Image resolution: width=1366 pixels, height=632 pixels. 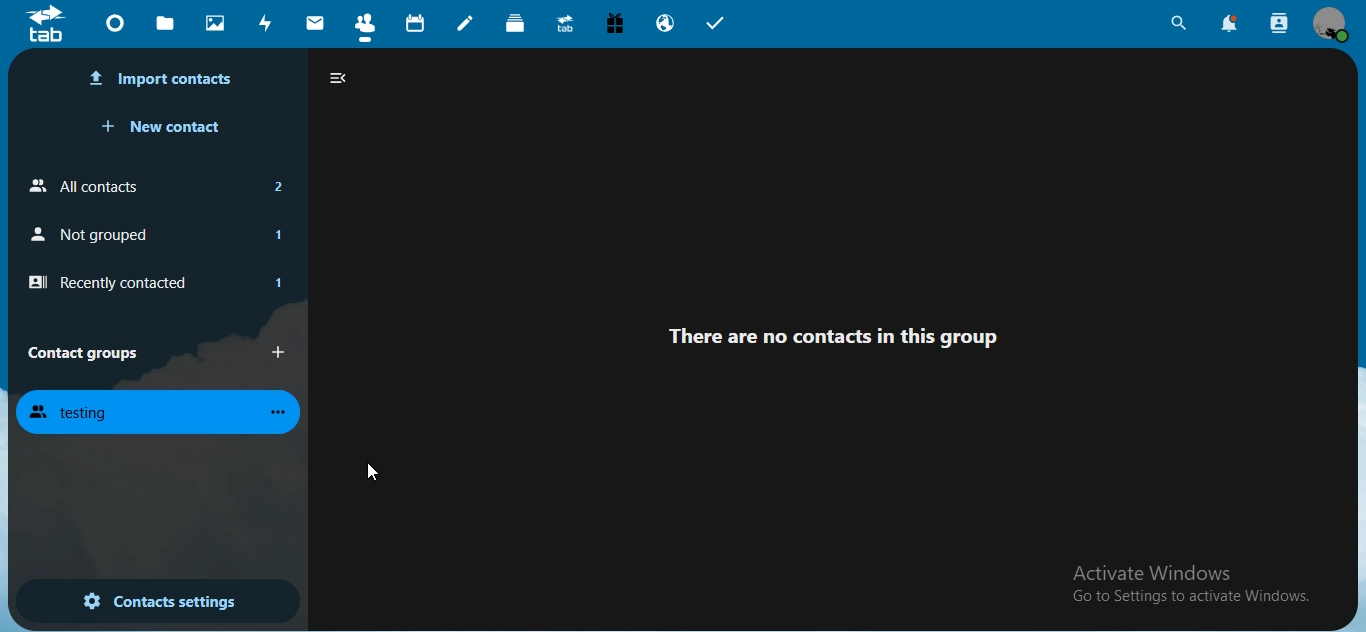 What do you see at coordinates (165, 129) in the screenshot?
I see `new contact` at bounding box center [165, 129].